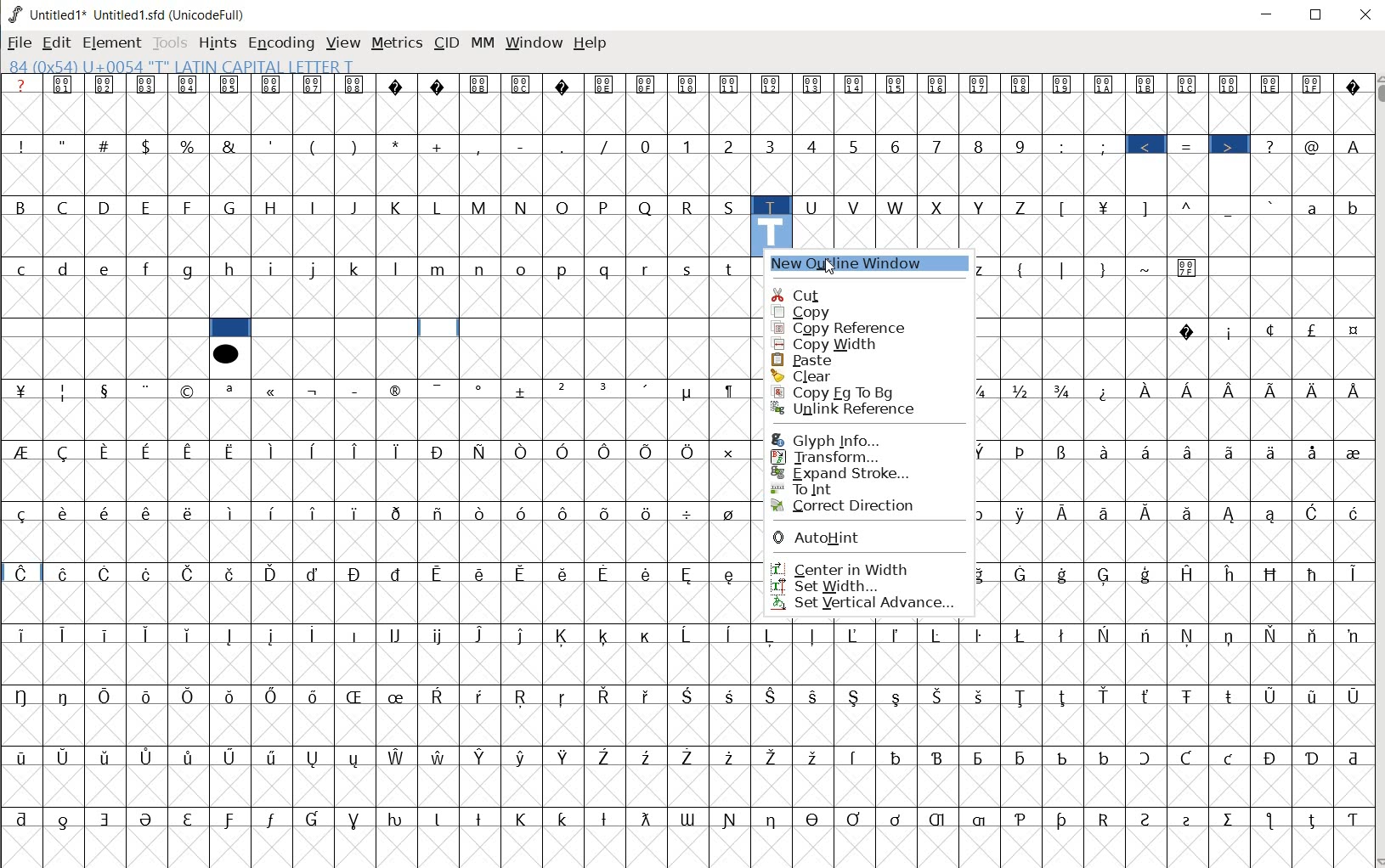  What do you see at coordinates (482, 513) in the screenshot?
I see `Symbol` at bounding box center [482, 513].